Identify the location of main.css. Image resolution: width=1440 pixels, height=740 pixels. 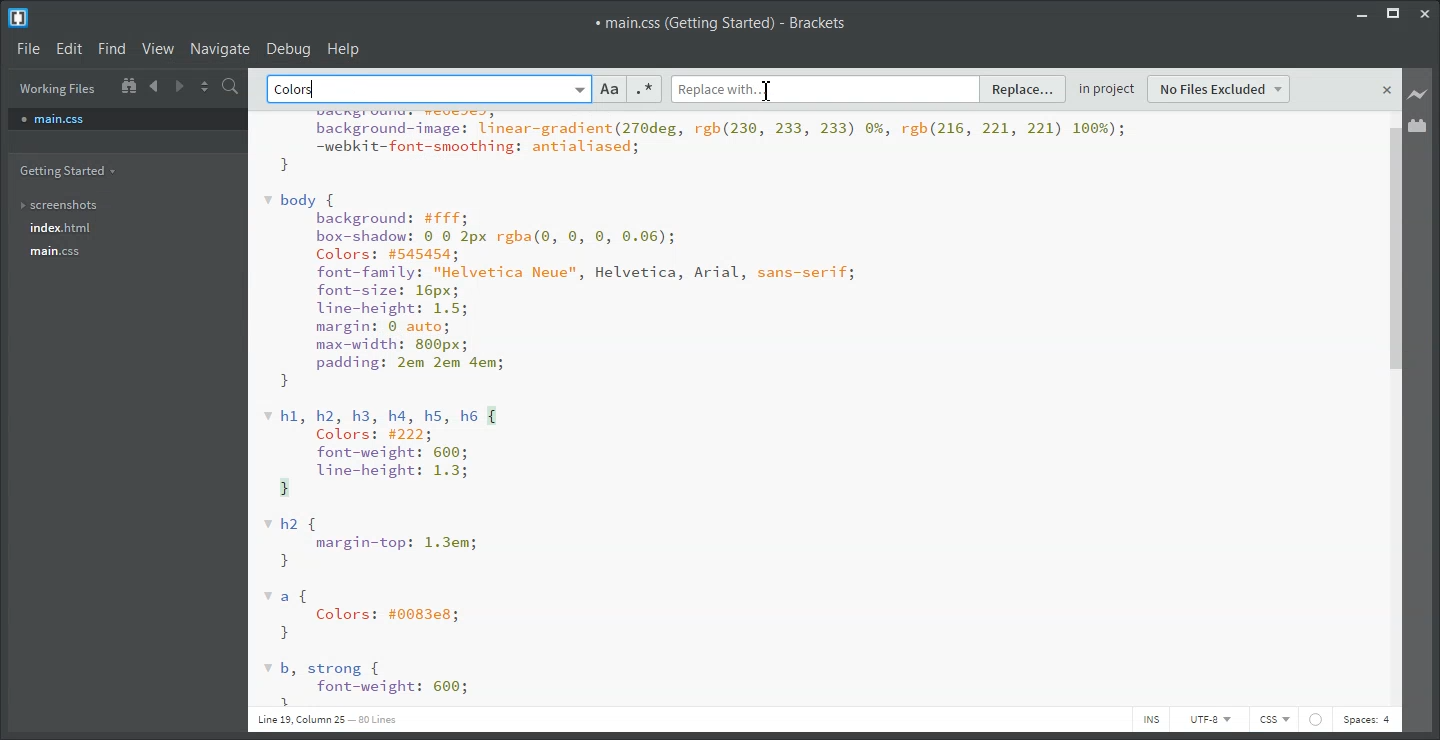
(127, 118).